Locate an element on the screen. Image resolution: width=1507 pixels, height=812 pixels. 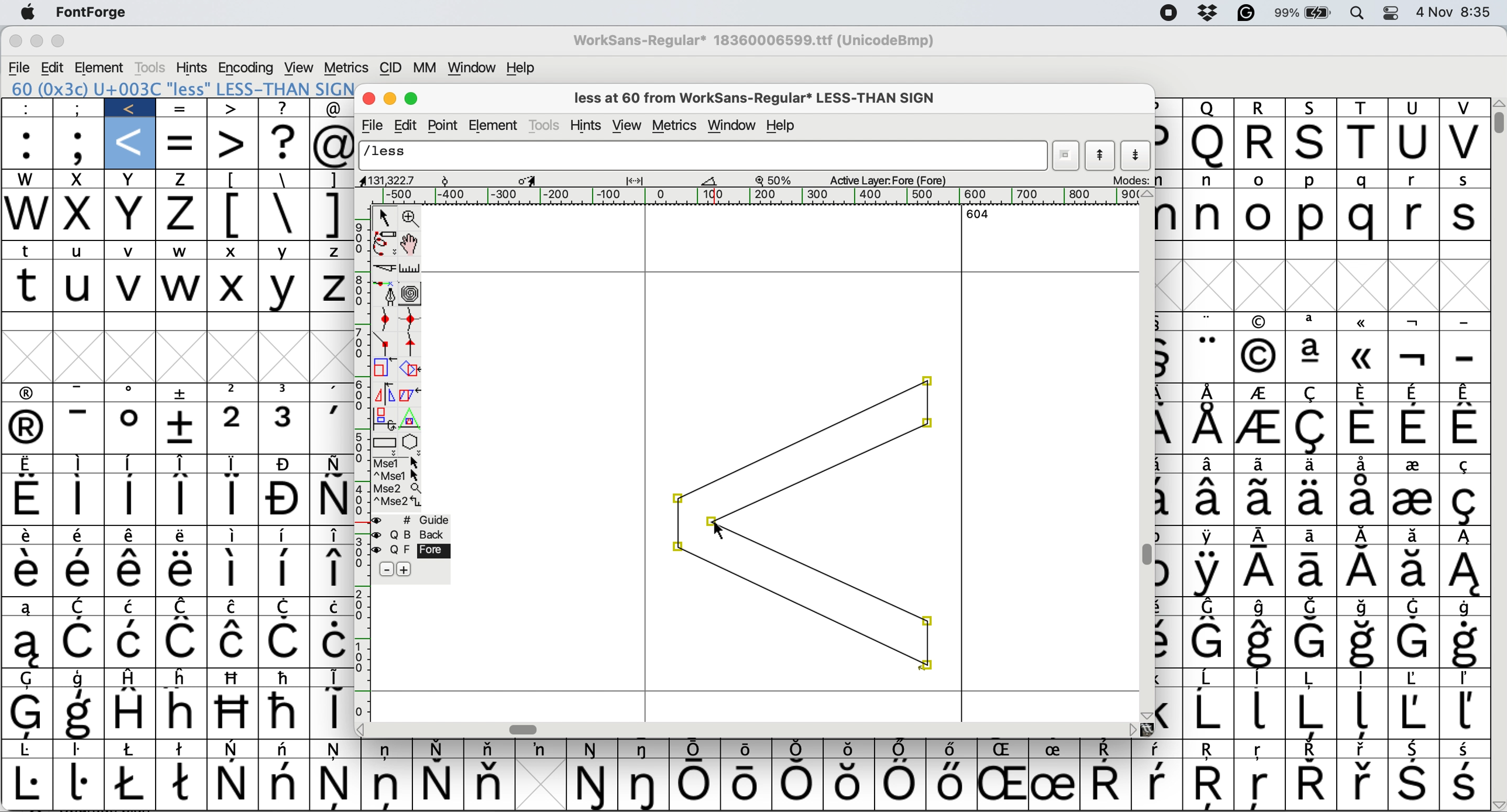
edit is located at coordinates (410, 124).